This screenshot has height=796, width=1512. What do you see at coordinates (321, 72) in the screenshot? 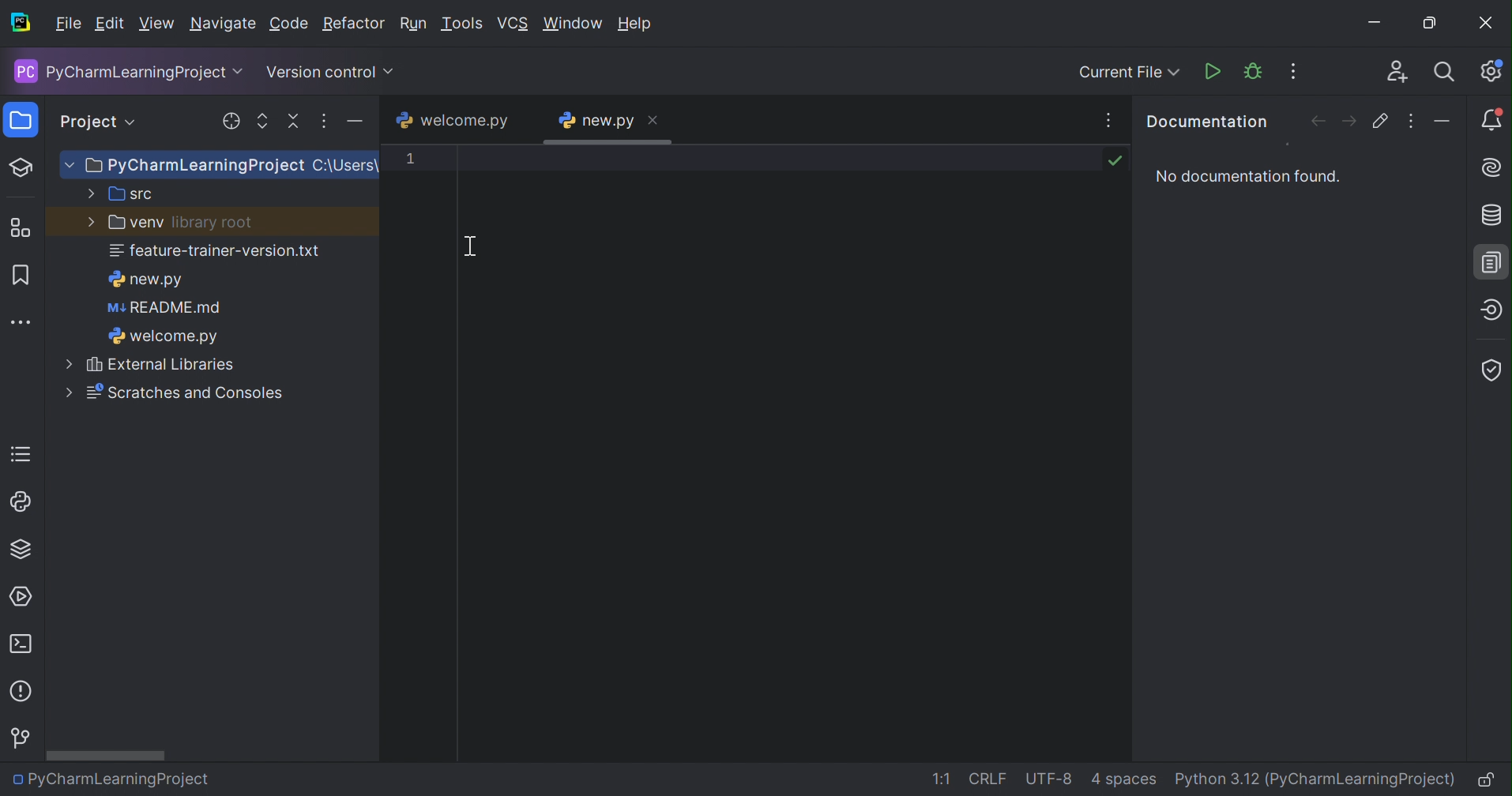
I see `Version control` at bounding box center [321, 72].